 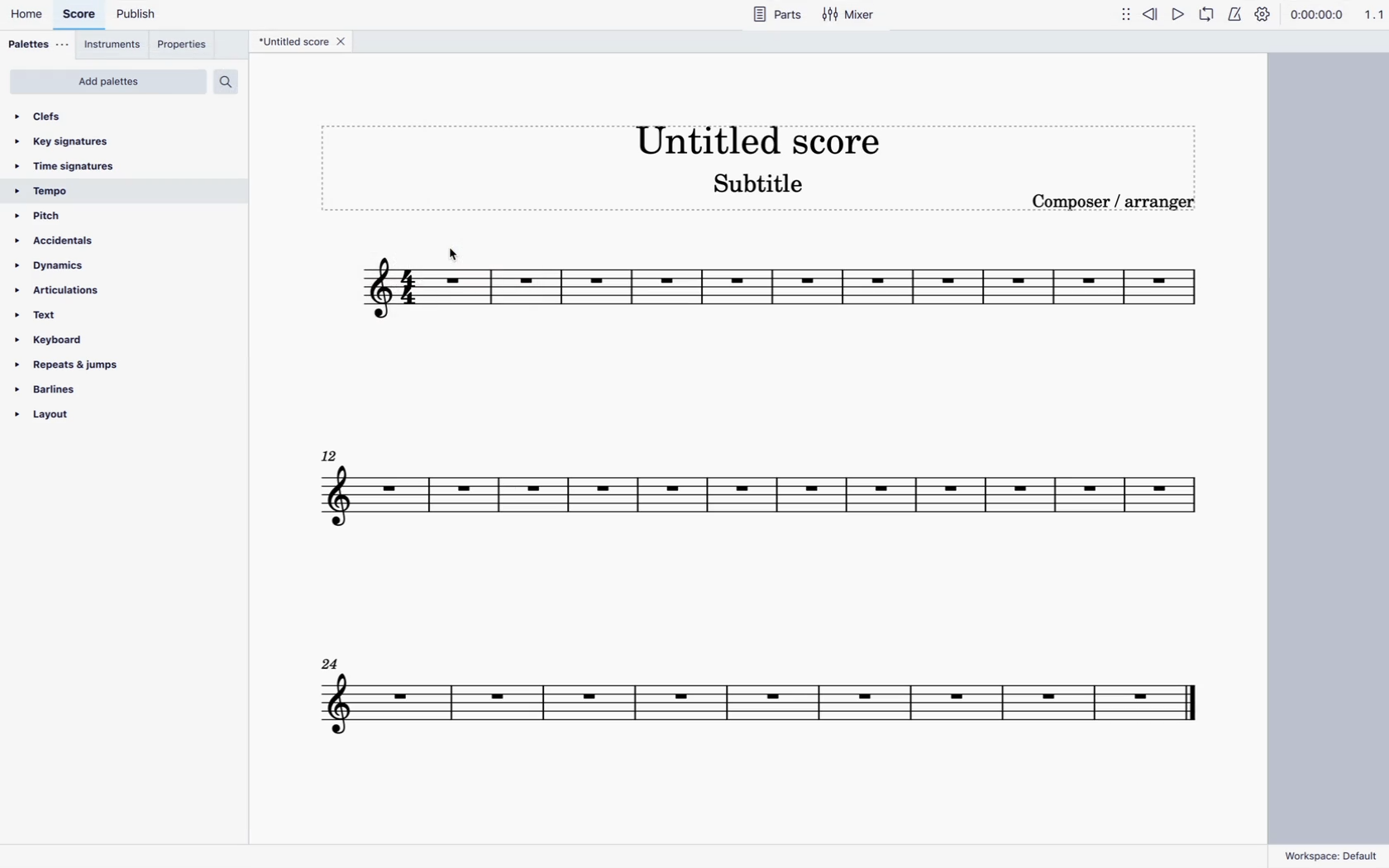 I want to click on clefs, so click(x=50, y=116).